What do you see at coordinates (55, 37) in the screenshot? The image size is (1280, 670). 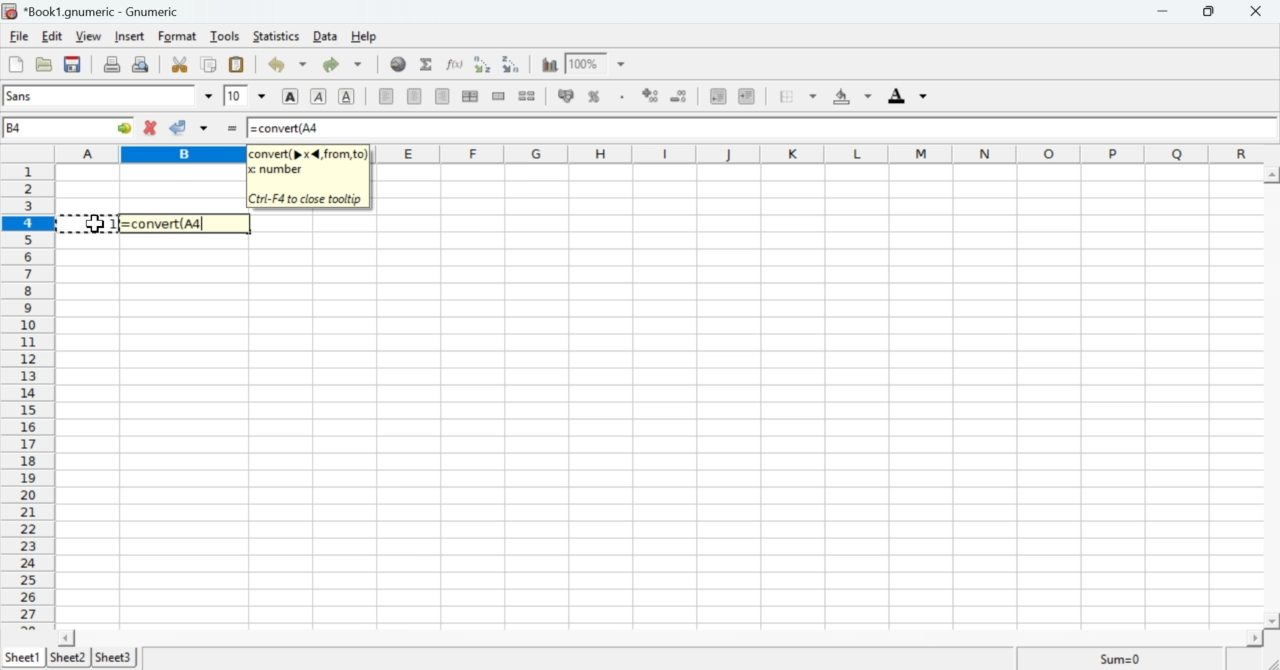 I see `Edit` at bounding box center [55, 37].